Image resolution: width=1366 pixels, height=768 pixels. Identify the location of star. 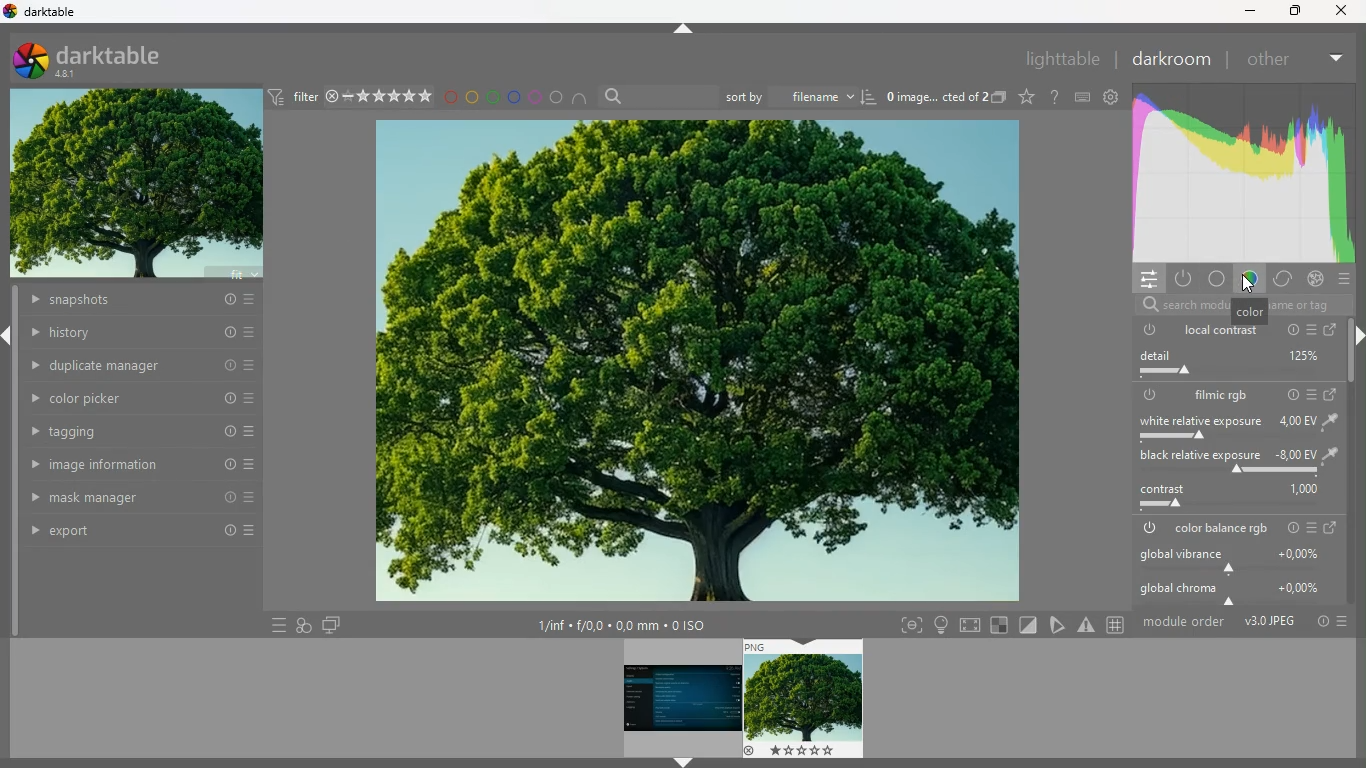
(1027, 97).